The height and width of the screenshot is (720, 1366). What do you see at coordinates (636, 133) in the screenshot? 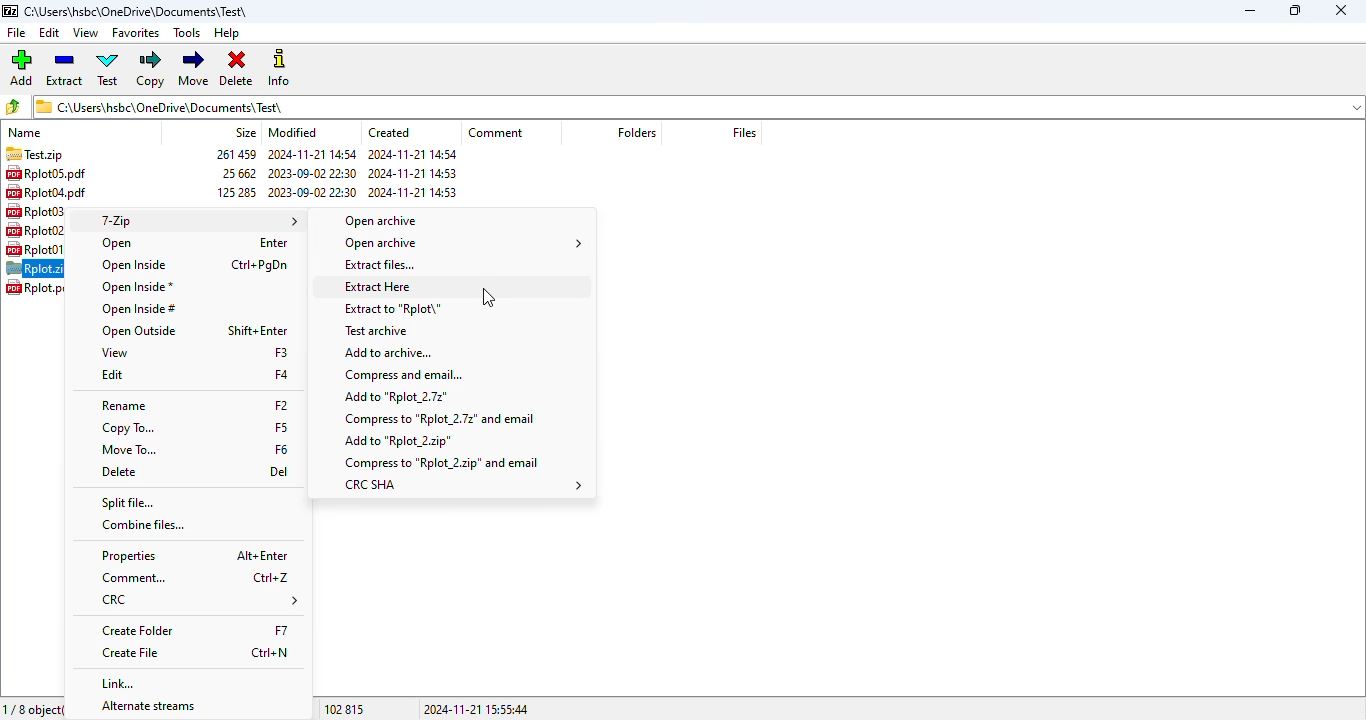
I see `folders` at bounding box center [636, 133].